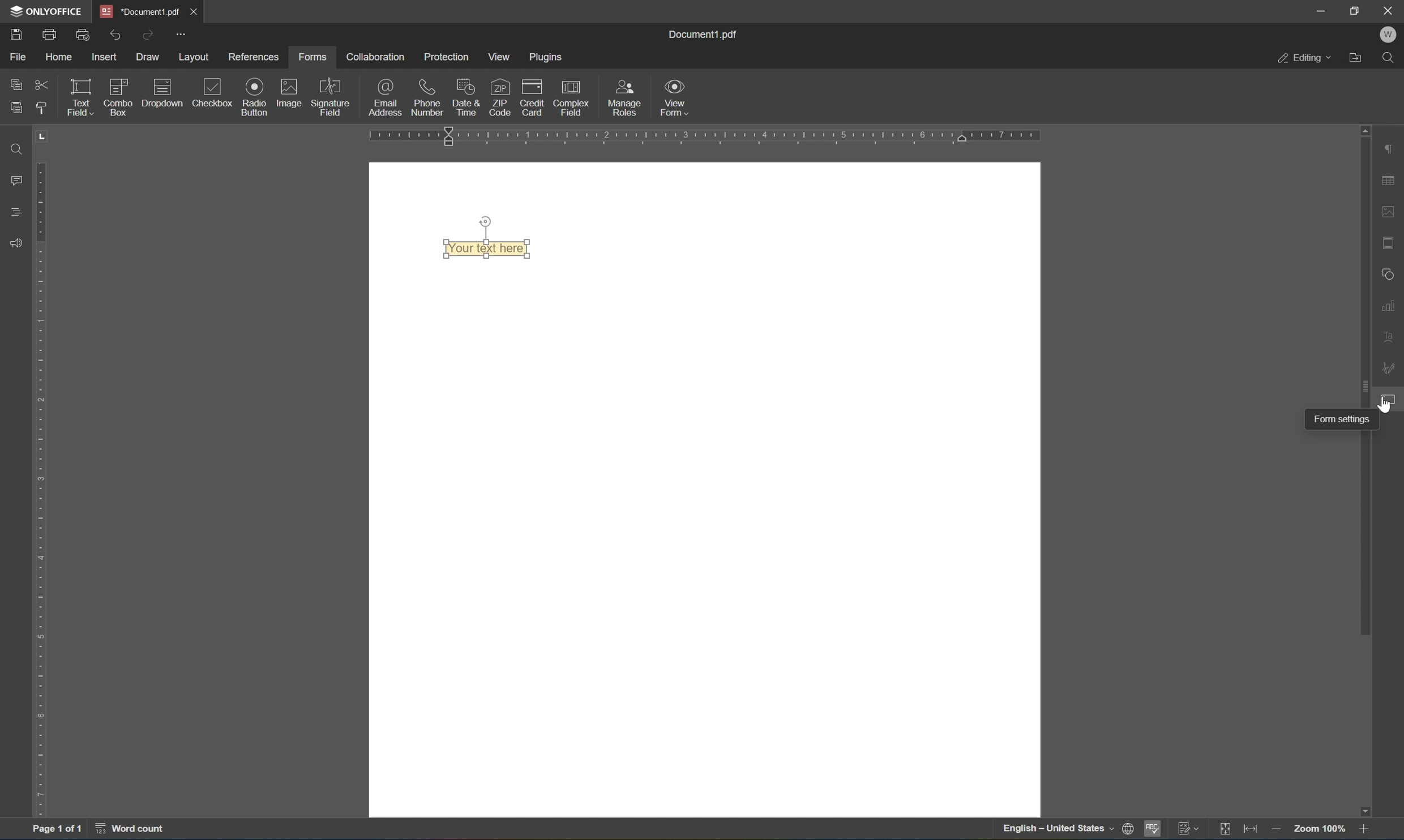 Image resolution: width=1404 pixels, height=840 pixels. Describe the element at coordinates (485, 246) in the screenshot. I see `text field` at that location.